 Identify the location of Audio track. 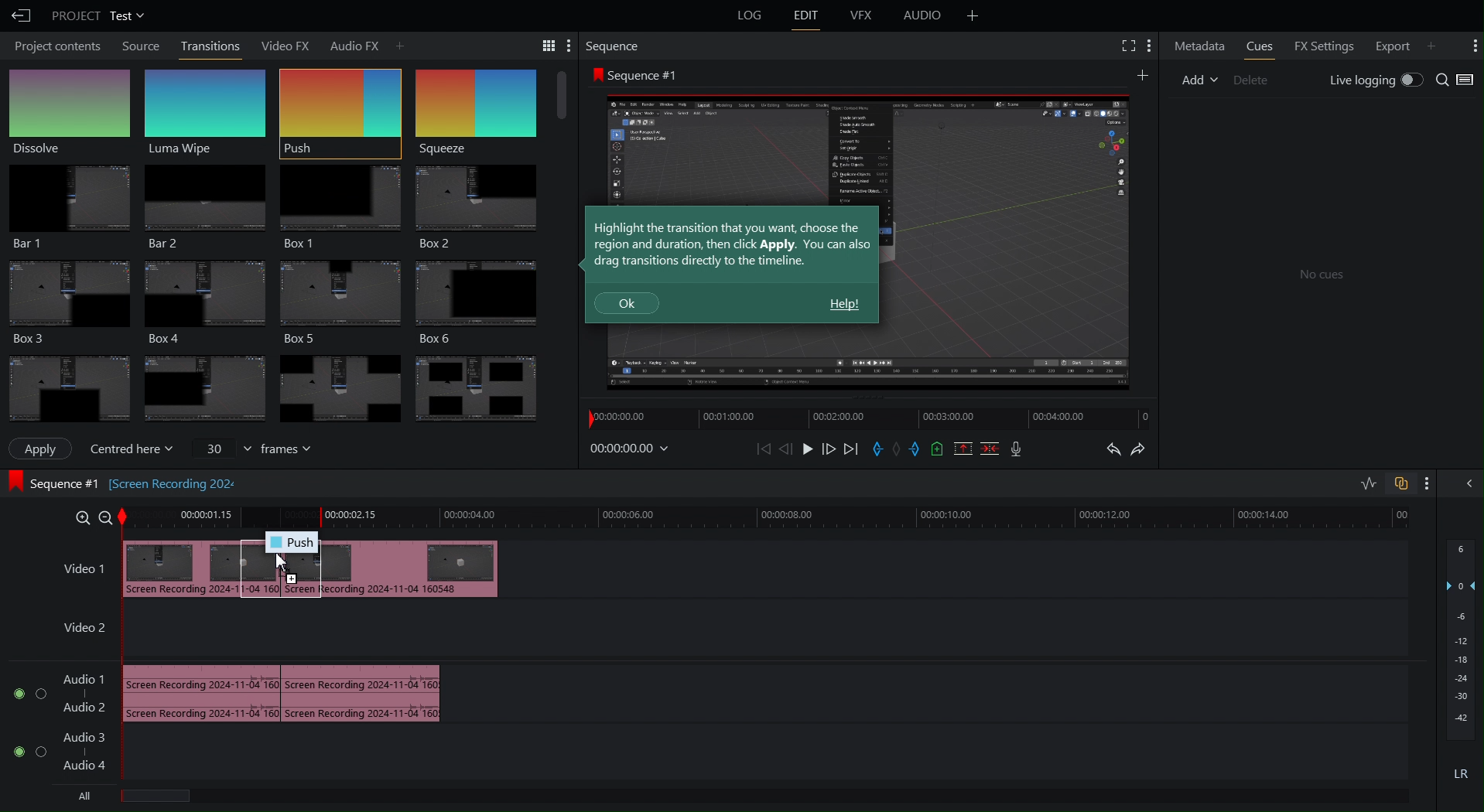
(282, 691).